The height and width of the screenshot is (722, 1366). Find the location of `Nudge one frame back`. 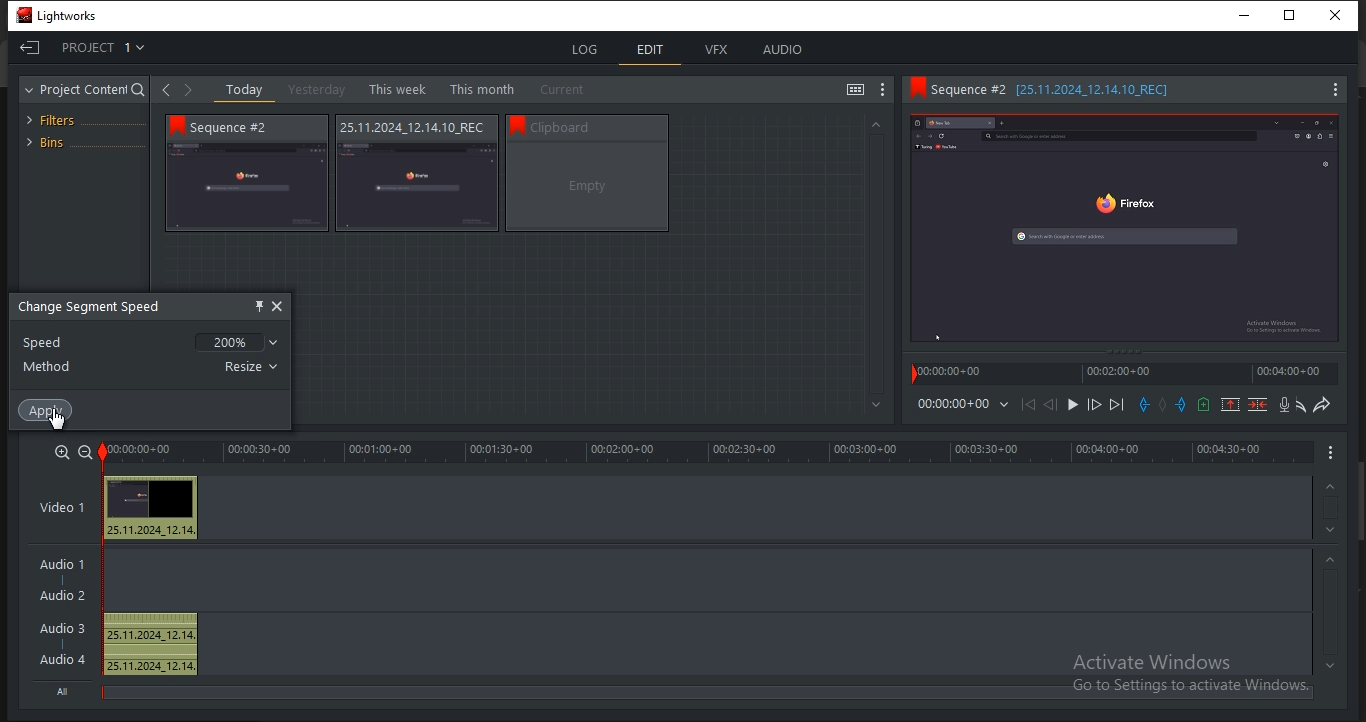

Nudge one frame back is located at coordinates (1051, 405).